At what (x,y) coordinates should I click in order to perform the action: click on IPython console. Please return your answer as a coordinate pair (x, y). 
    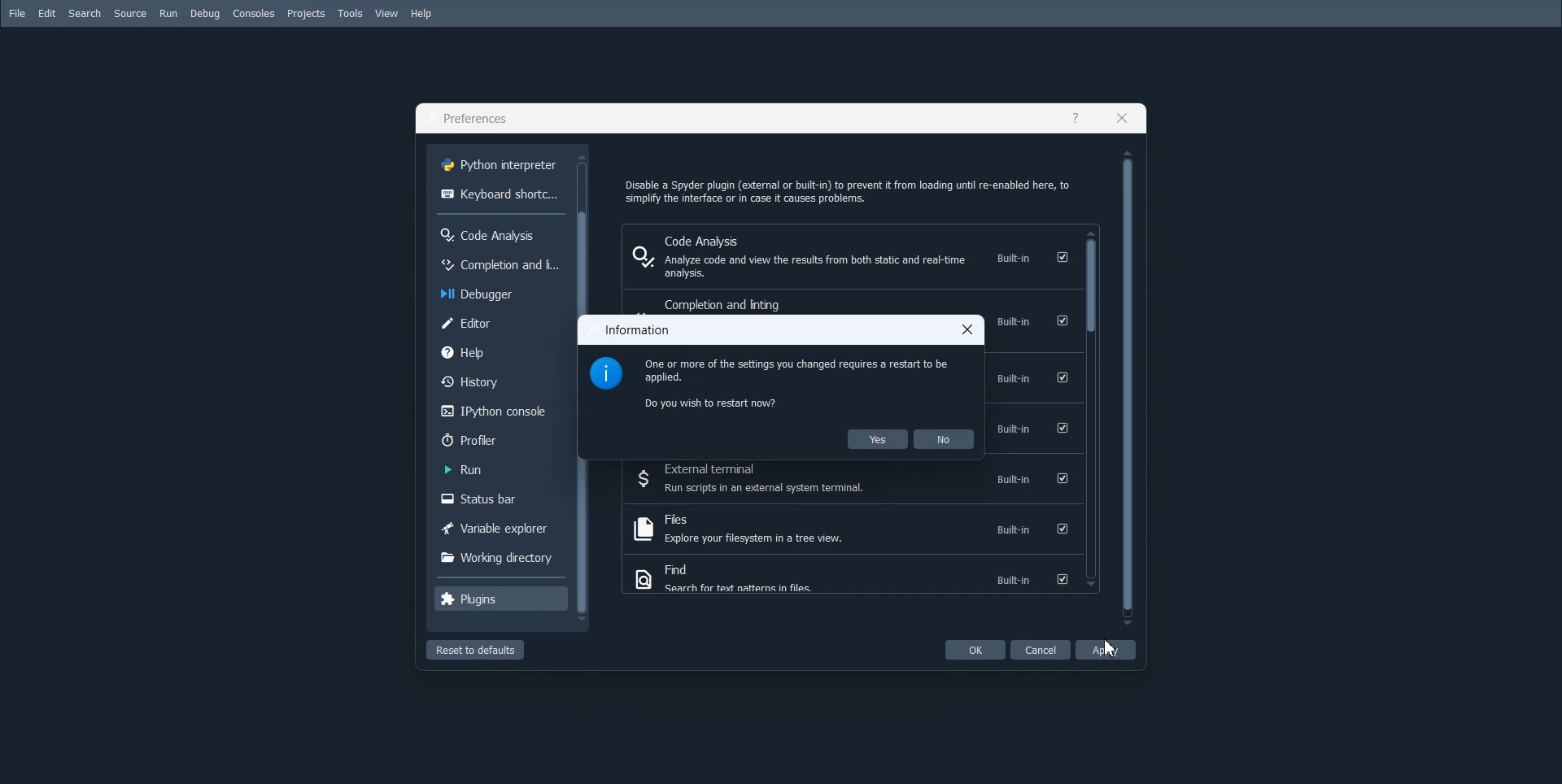
    Looking at the image, I should click on (499, 411).